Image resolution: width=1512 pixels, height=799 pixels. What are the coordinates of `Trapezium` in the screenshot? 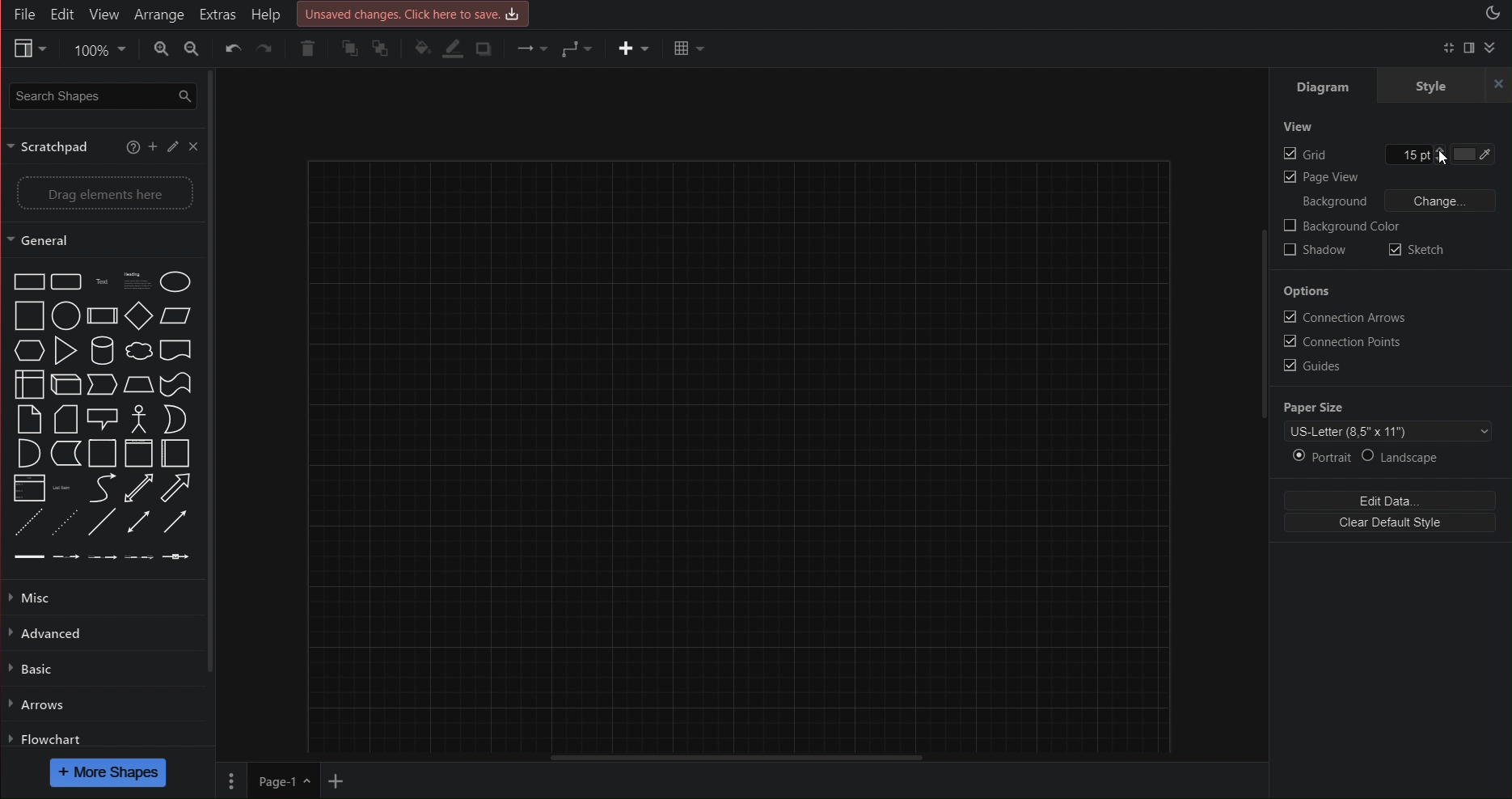 It's located at (175, 313).